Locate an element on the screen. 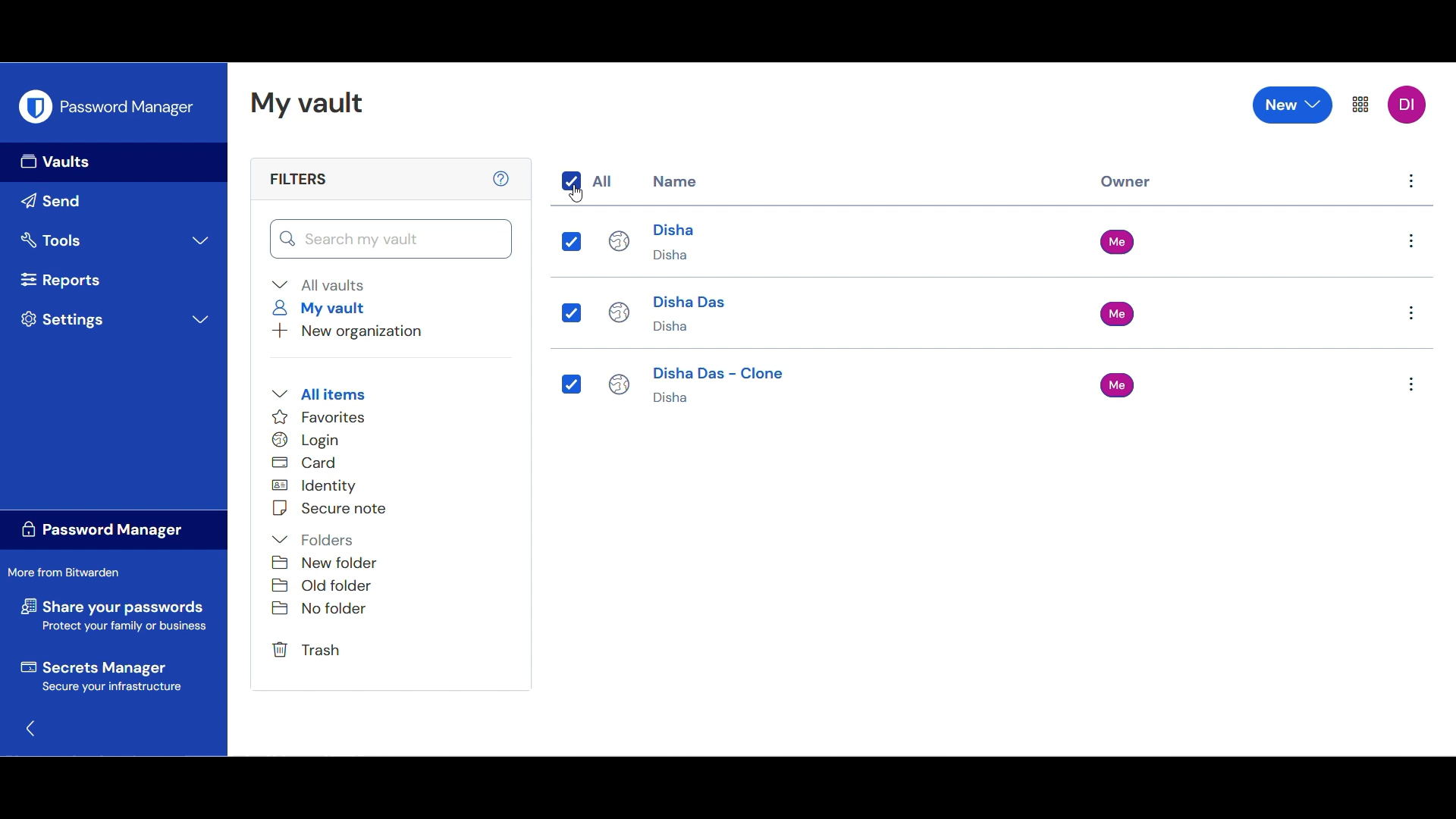 The image size is (1456, 819). Old folder is located at coordinates (324, 585).